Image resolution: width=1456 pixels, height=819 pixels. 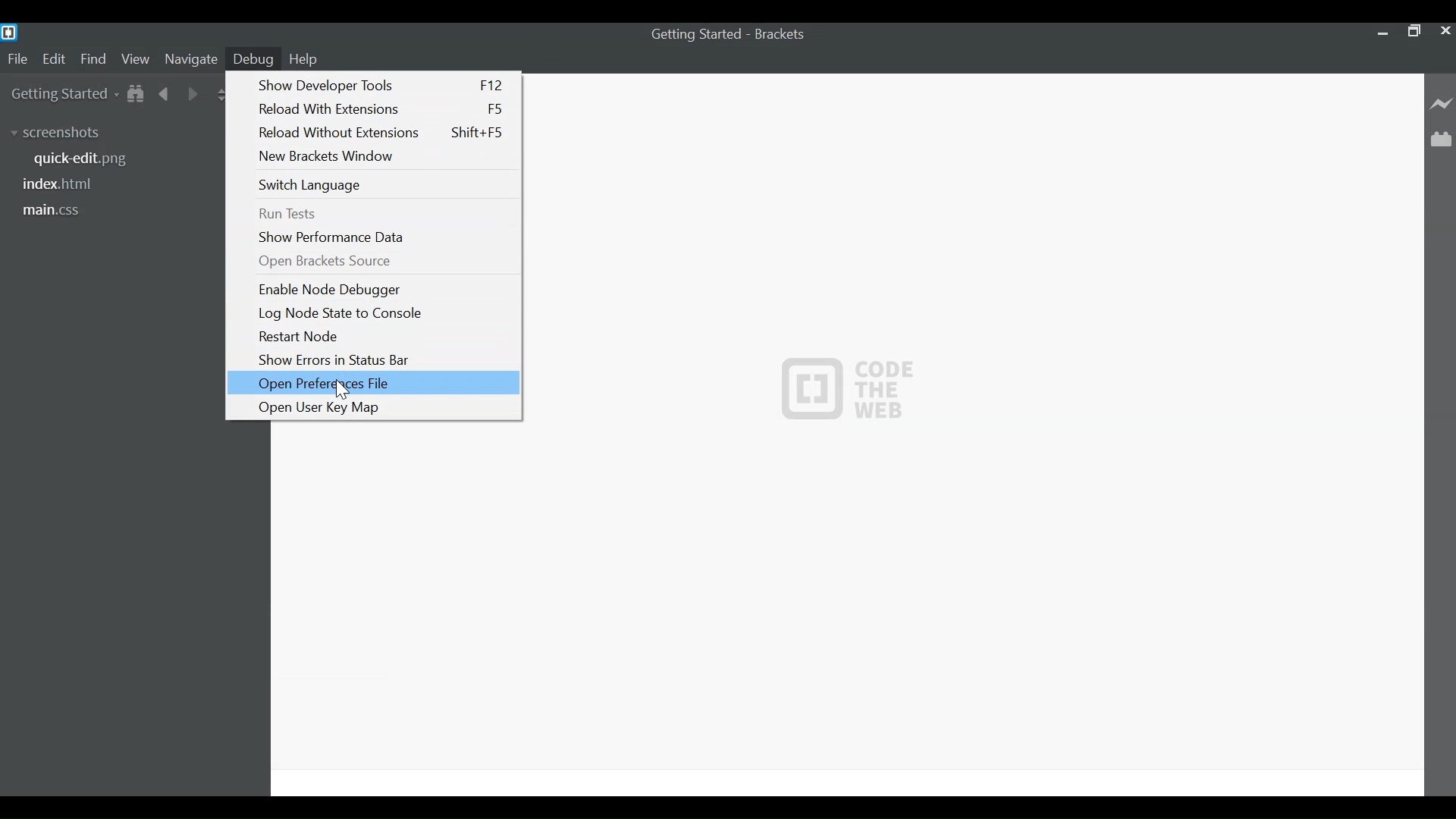 I want to click on Getting Started, so click(x=65, y=96).